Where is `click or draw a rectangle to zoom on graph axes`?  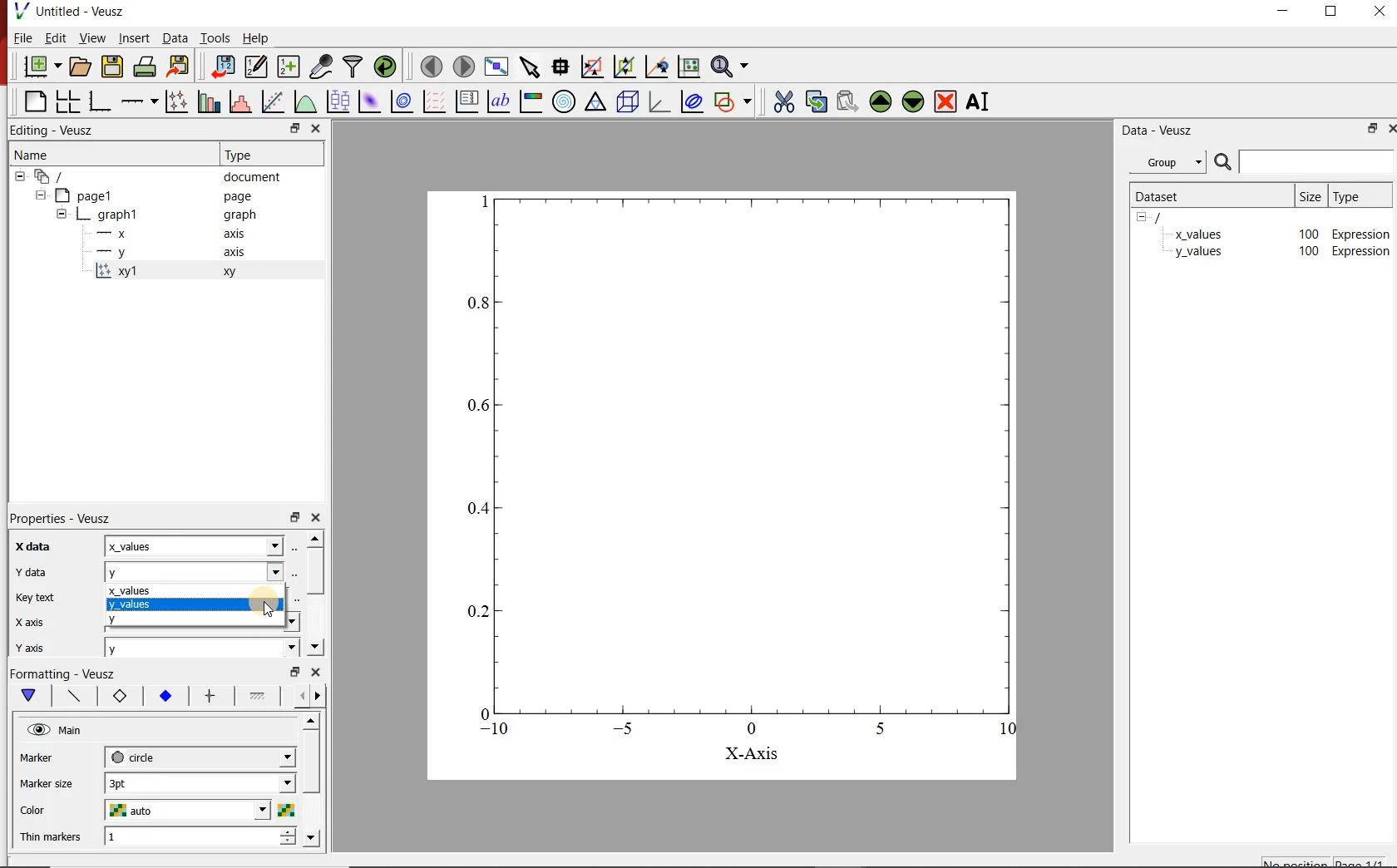
click or draw a rectangle to zoom on graph axes is located at coordinates (592, 67).